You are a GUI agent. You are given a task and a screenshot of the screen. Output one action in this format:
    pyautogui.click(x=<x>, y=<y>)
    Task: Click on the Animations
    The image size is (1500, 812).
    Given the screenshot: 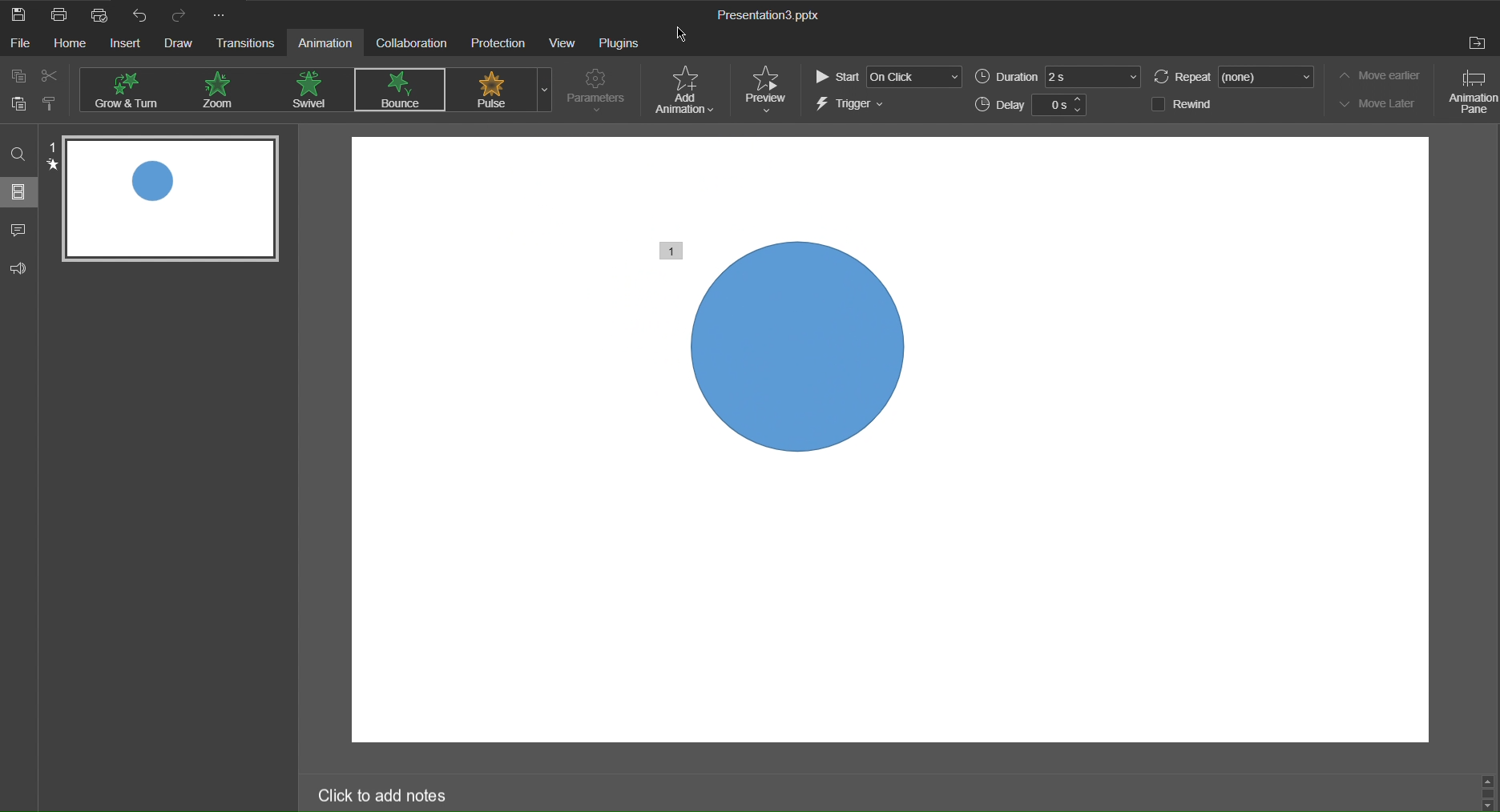 What is the action you would take?
    pyautogui.click(x=493, y=89)
    